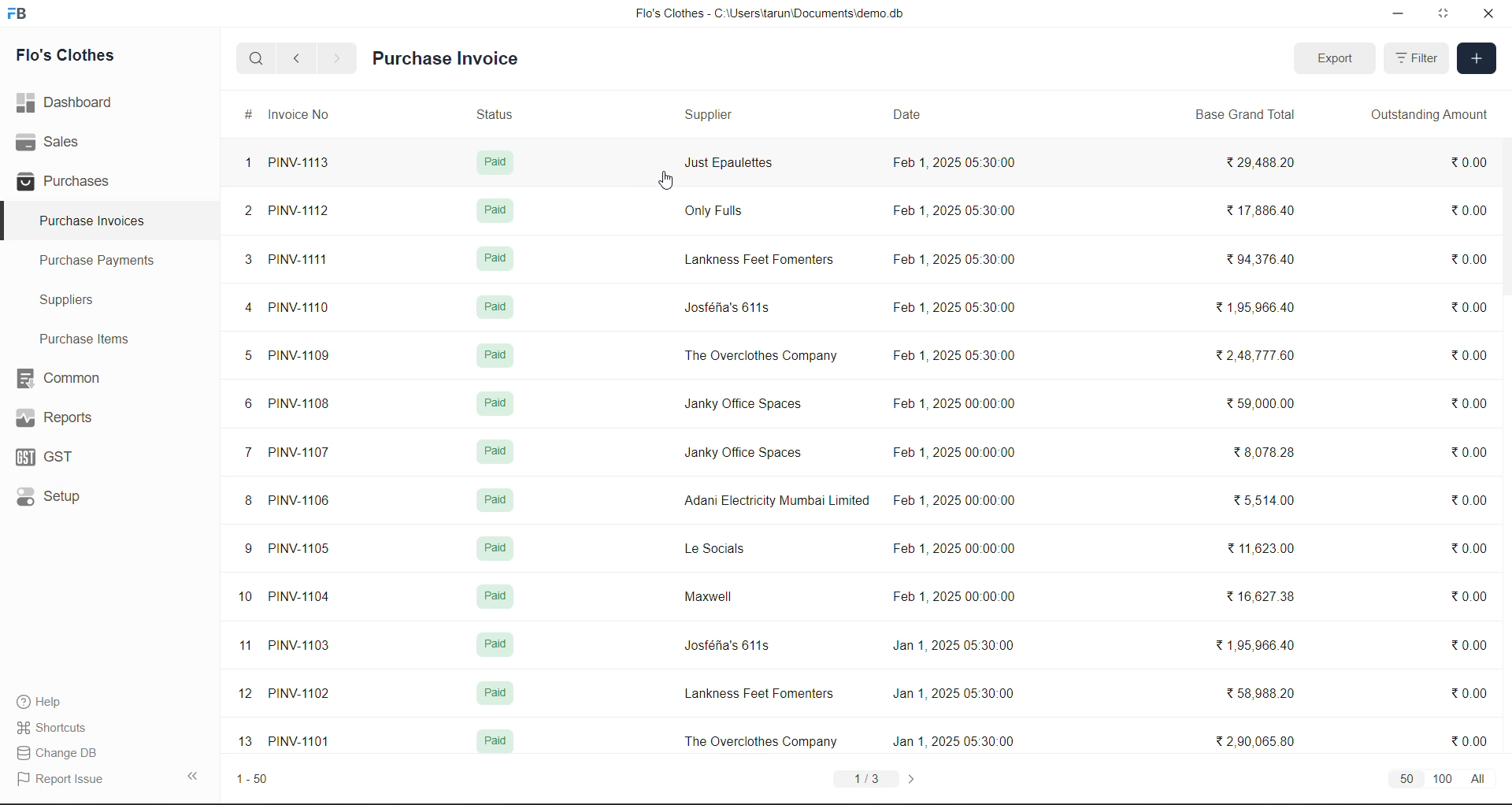  What do you see at coordinates (496, 113) in the screenshot?
I see `Status` at bounding box center [496, 113].